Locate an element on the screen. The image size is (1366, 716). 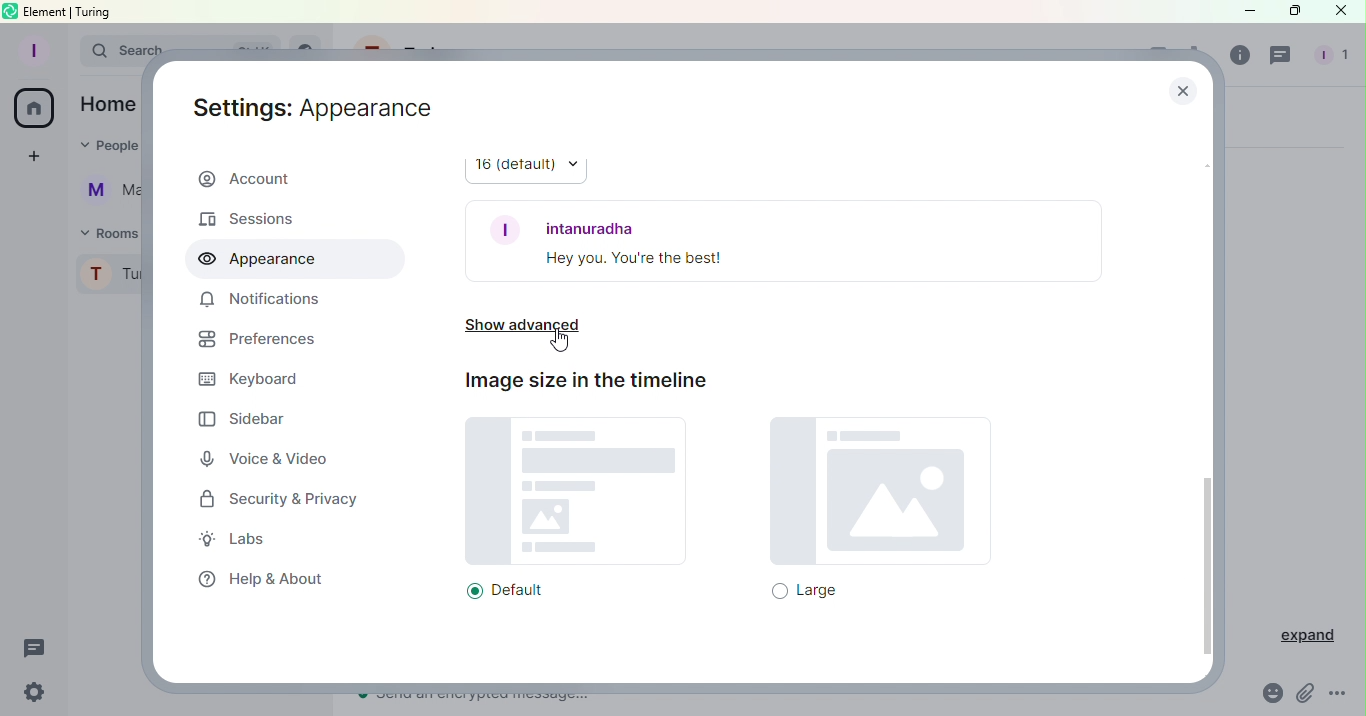
element is located at coordinates (46, 11).